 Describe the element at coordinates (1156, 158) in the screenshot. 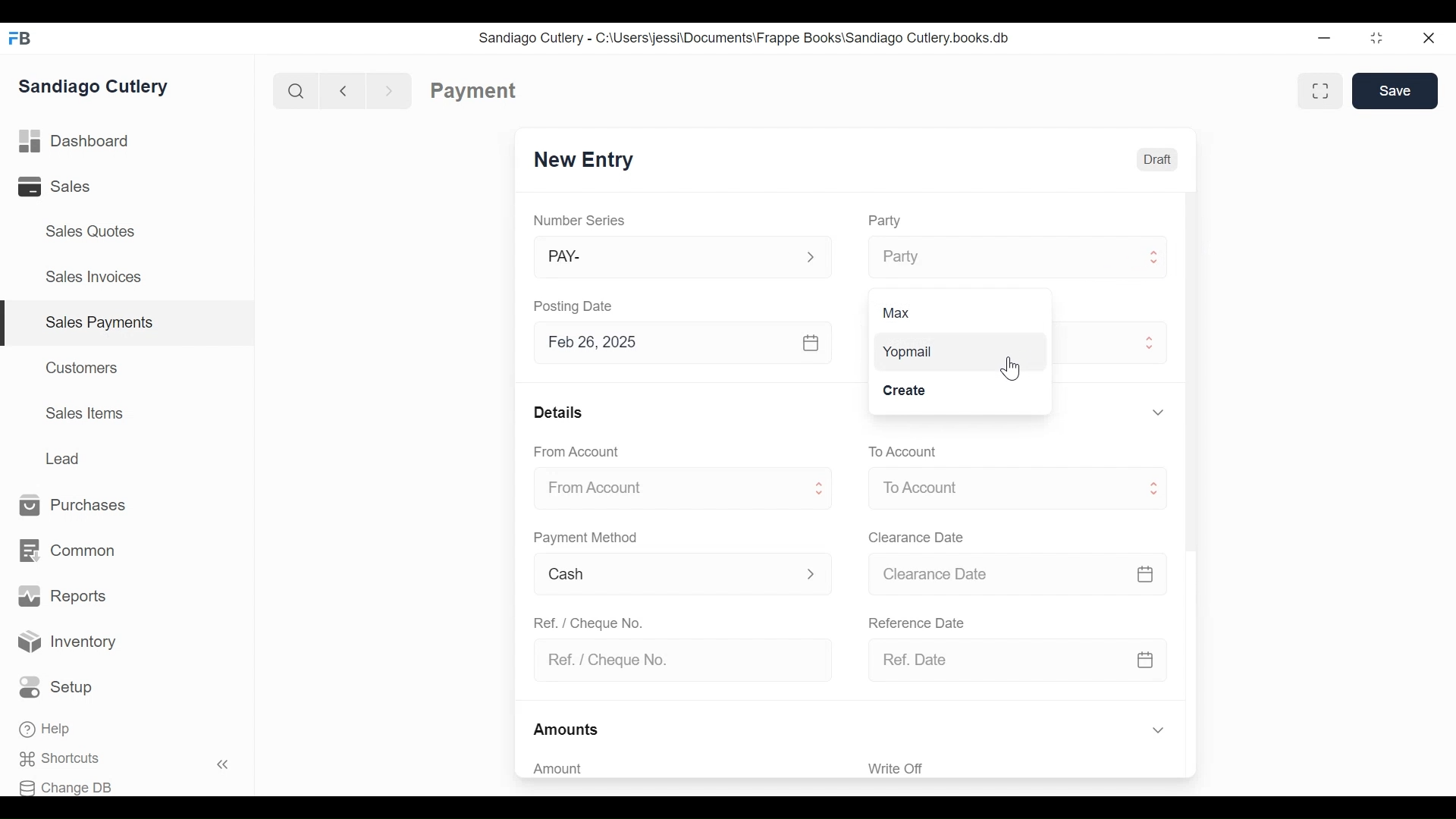

I see `Draft` at that location.